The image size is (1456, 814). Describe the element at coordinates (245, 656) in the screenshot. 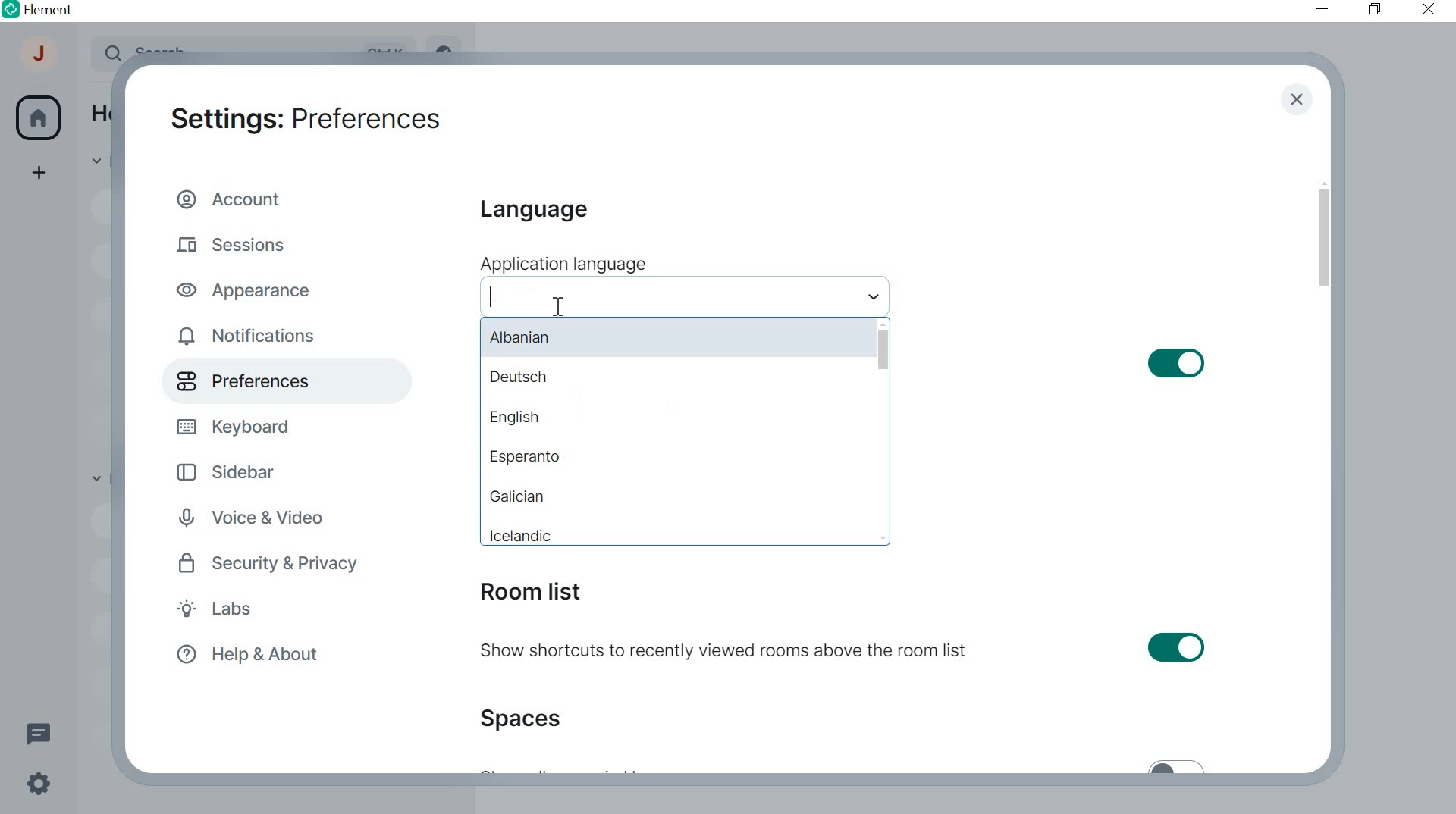

I see `HELP & ABOUT` at that location.